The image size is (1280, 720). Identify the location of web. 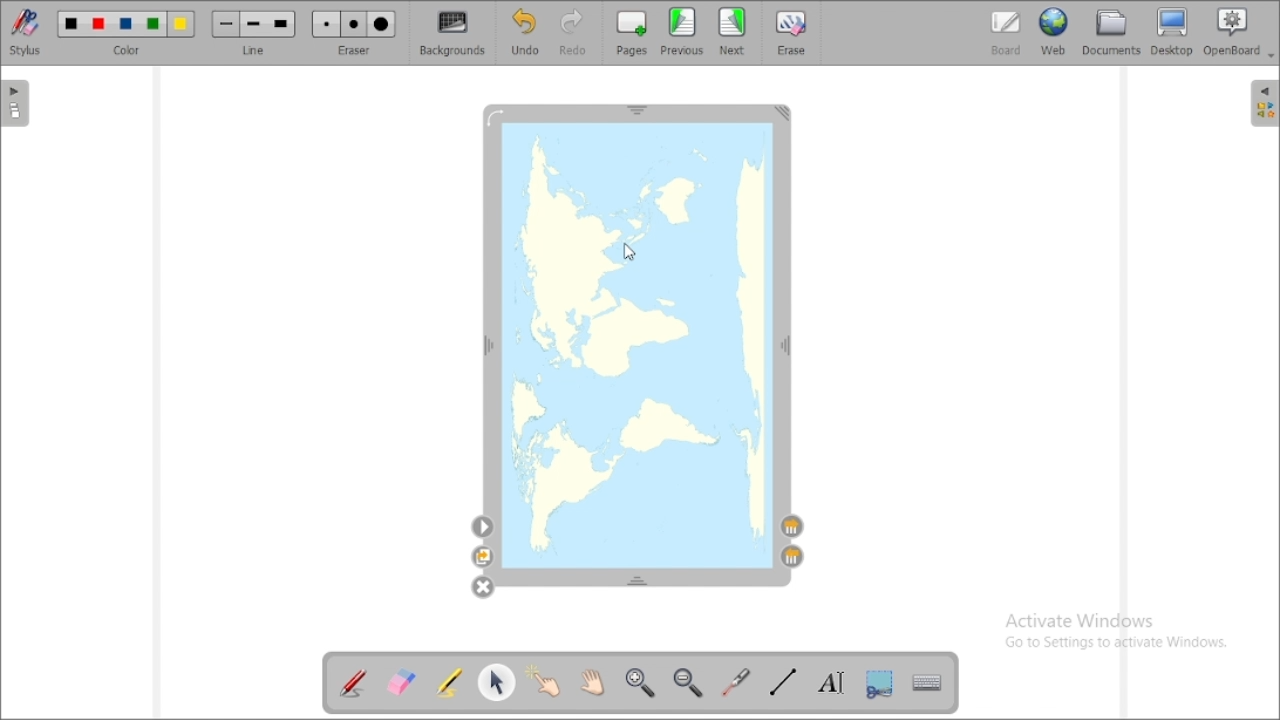
(1054, 32).